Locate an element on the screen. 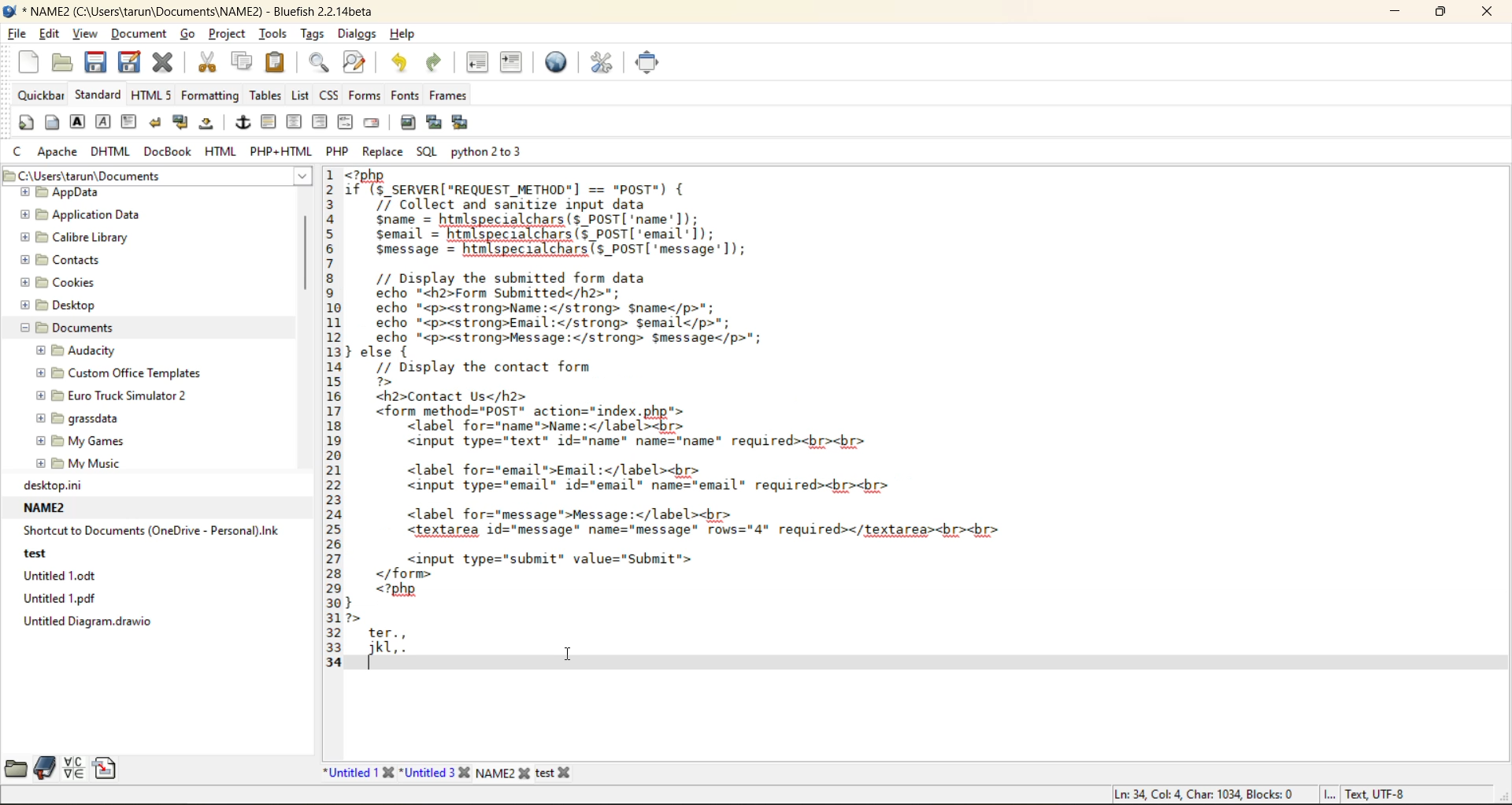 Image resolution: width=1512 pixels, height=805 pixels. find and replace is located at coordinates (358, 63).